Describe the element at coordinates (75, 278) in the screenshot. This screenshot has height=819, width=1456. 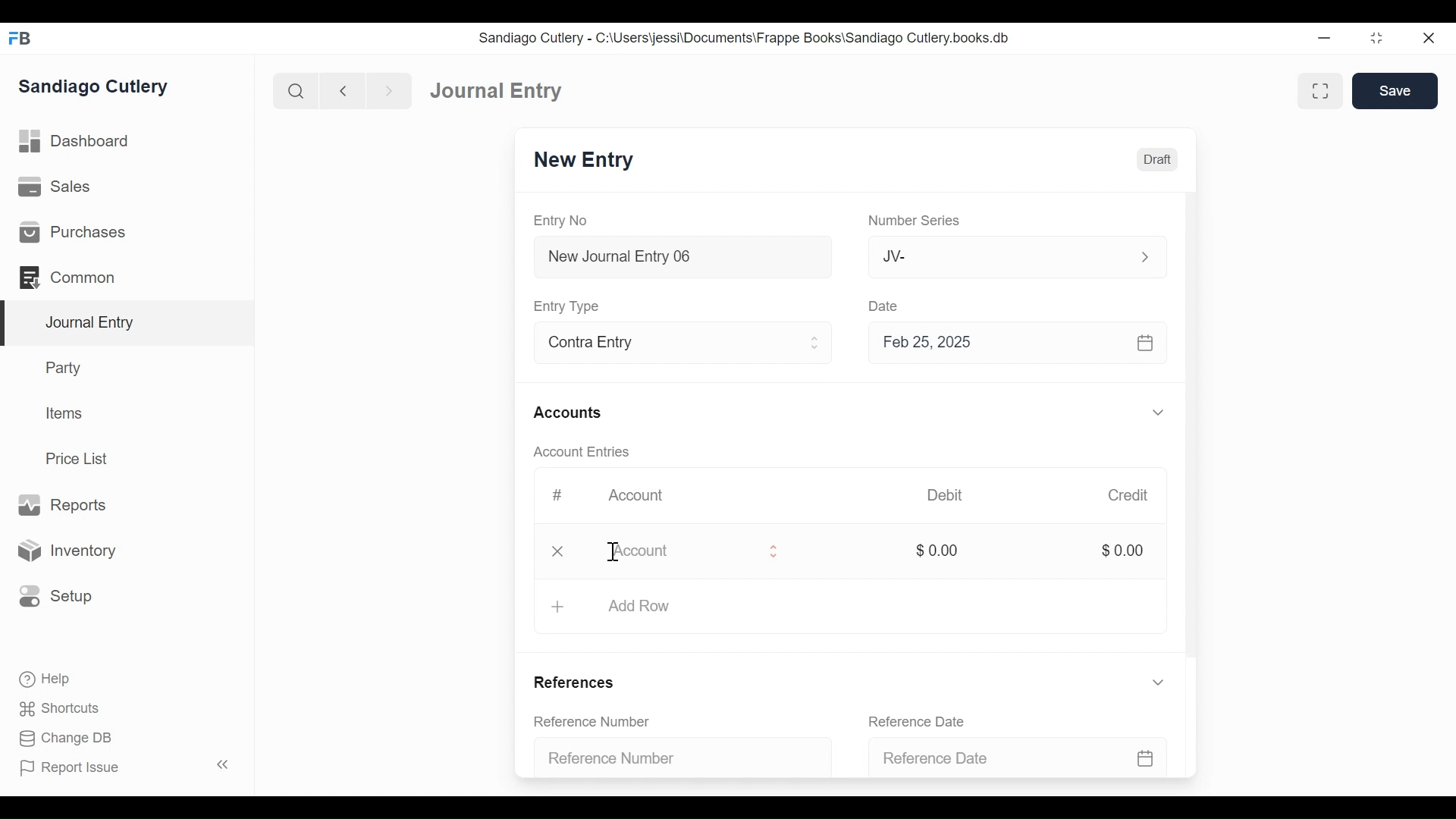
I see `Common` at that location.